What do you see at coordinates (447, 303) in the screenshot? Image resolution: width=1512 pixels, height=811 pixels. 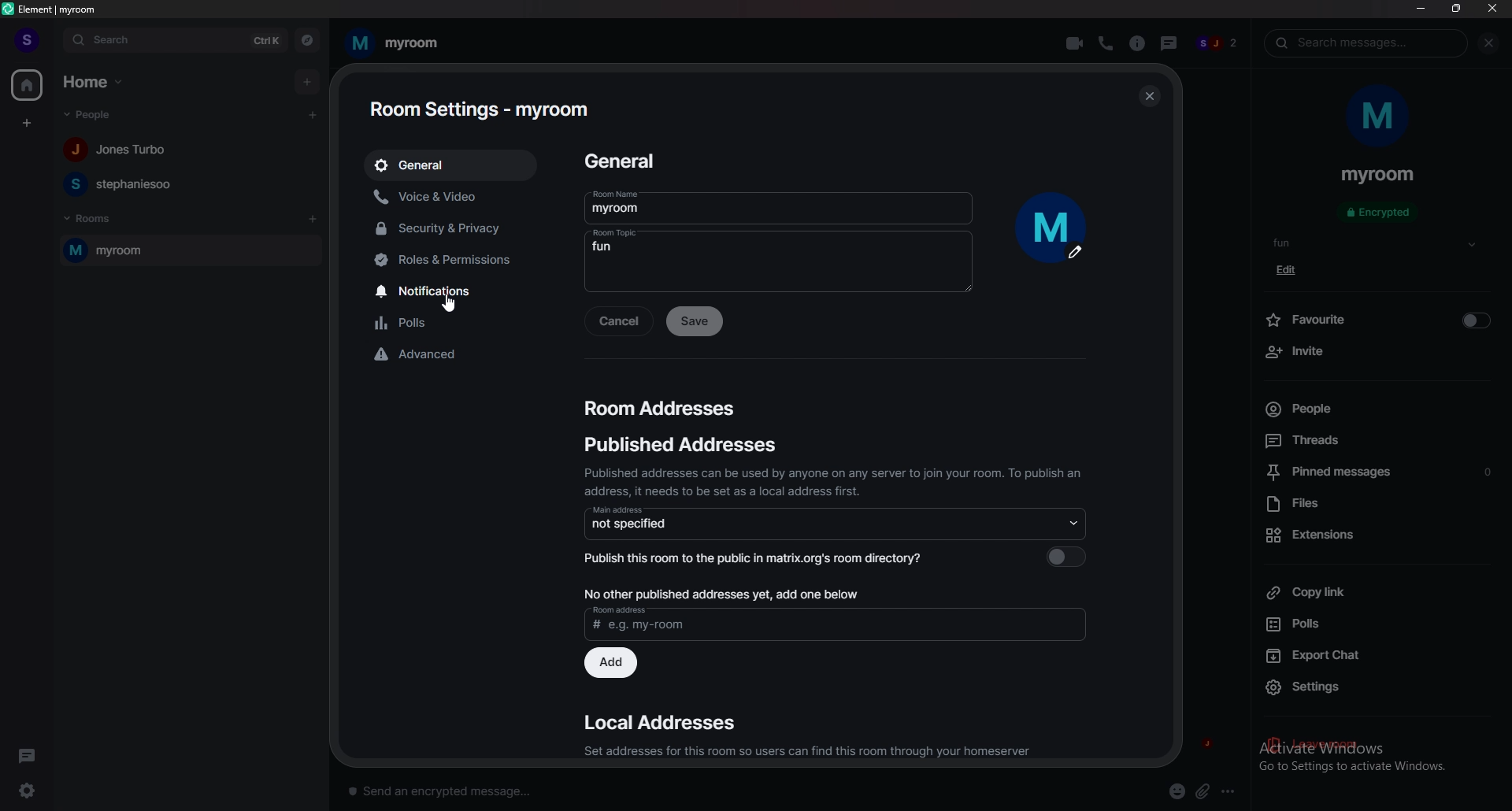 I see `cursor` at bounding box center [447, 303].